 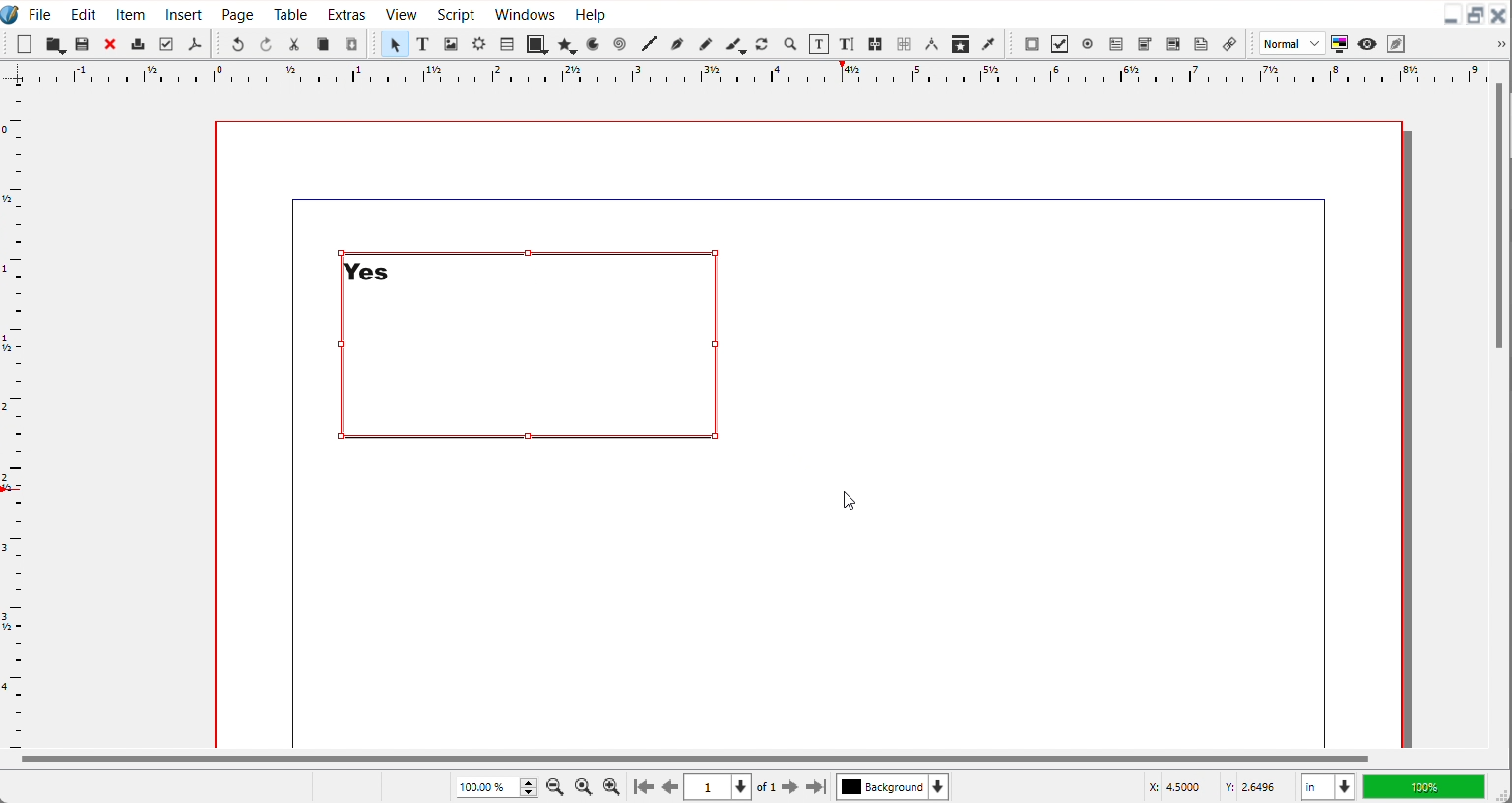 What do you see at coordinates (1498, 44) in the screenshot?
I see `Drop down box` at bounding box center [1498, 44].